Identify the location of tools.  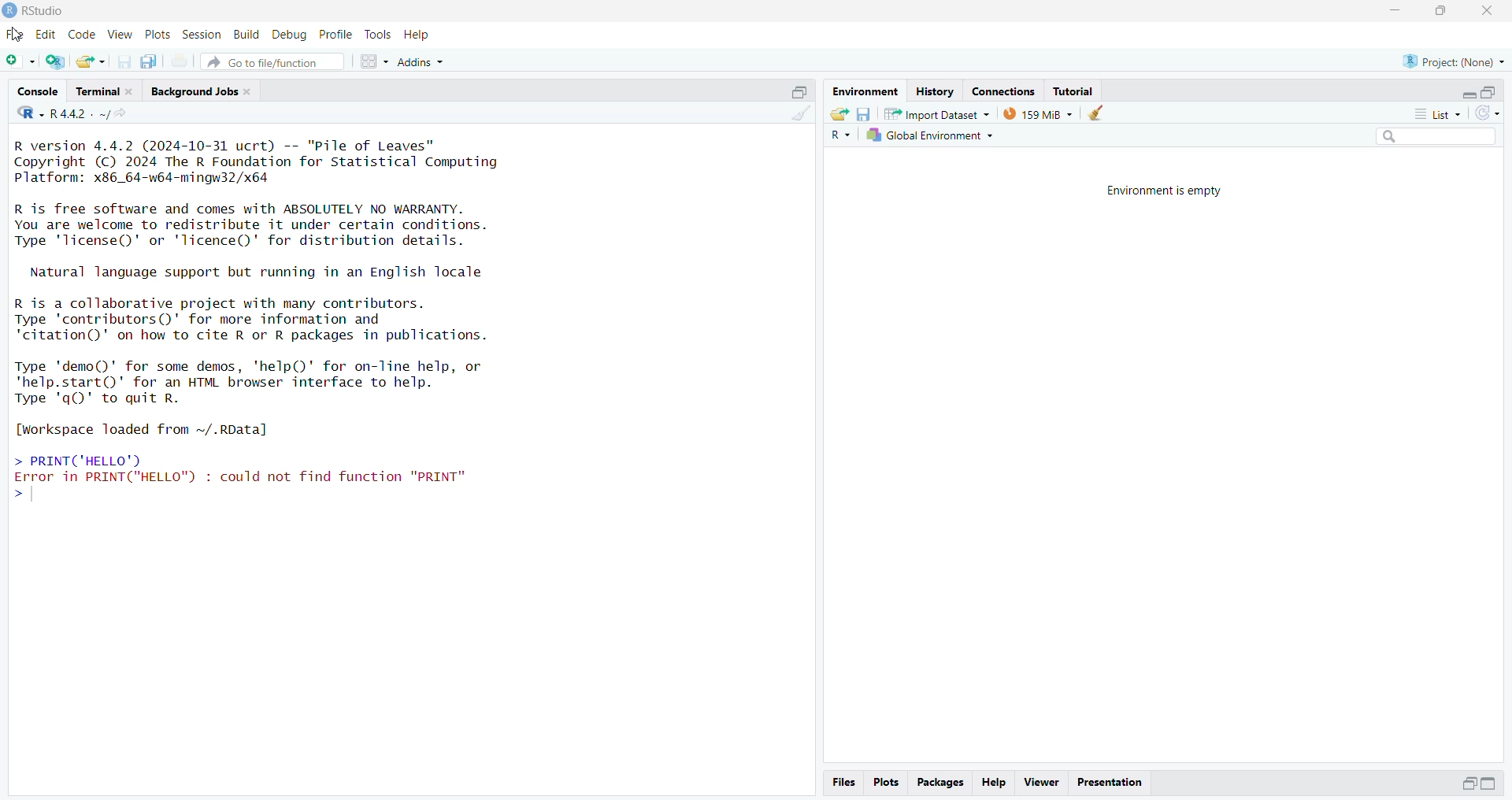
(379, 35).